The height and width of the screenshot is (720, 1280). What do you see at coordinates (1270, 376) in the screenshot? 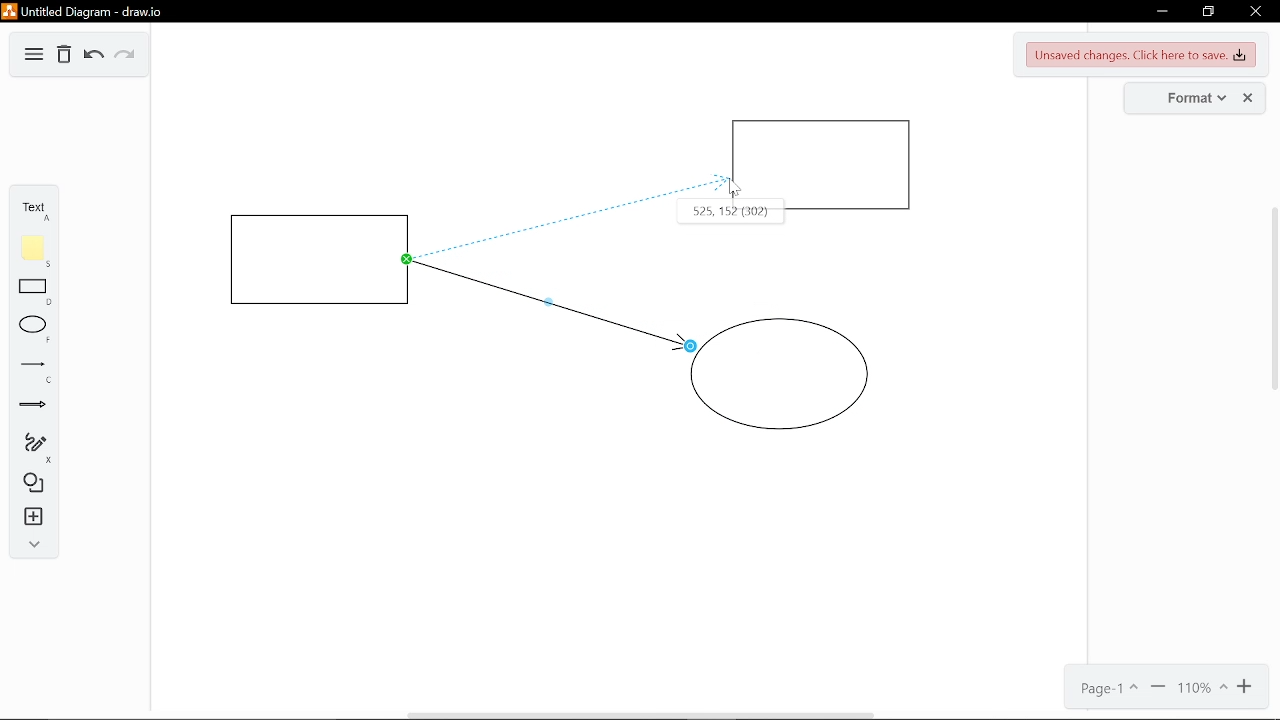
I see `Scroll Bar` at bounding box center [1270, 376].